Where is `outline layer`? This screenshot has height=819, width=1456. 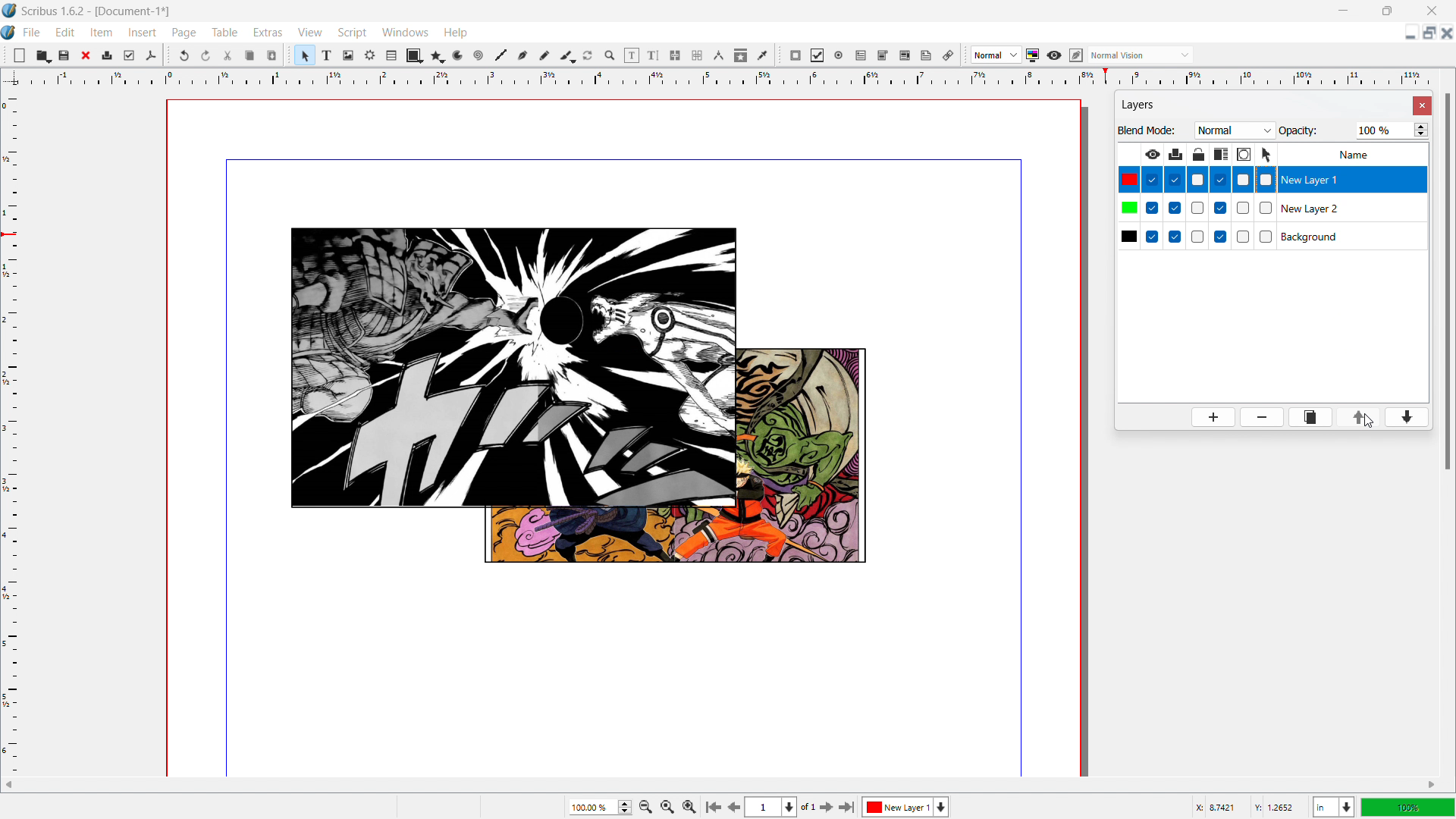
outline layer is located at coordinates (1244, 154).